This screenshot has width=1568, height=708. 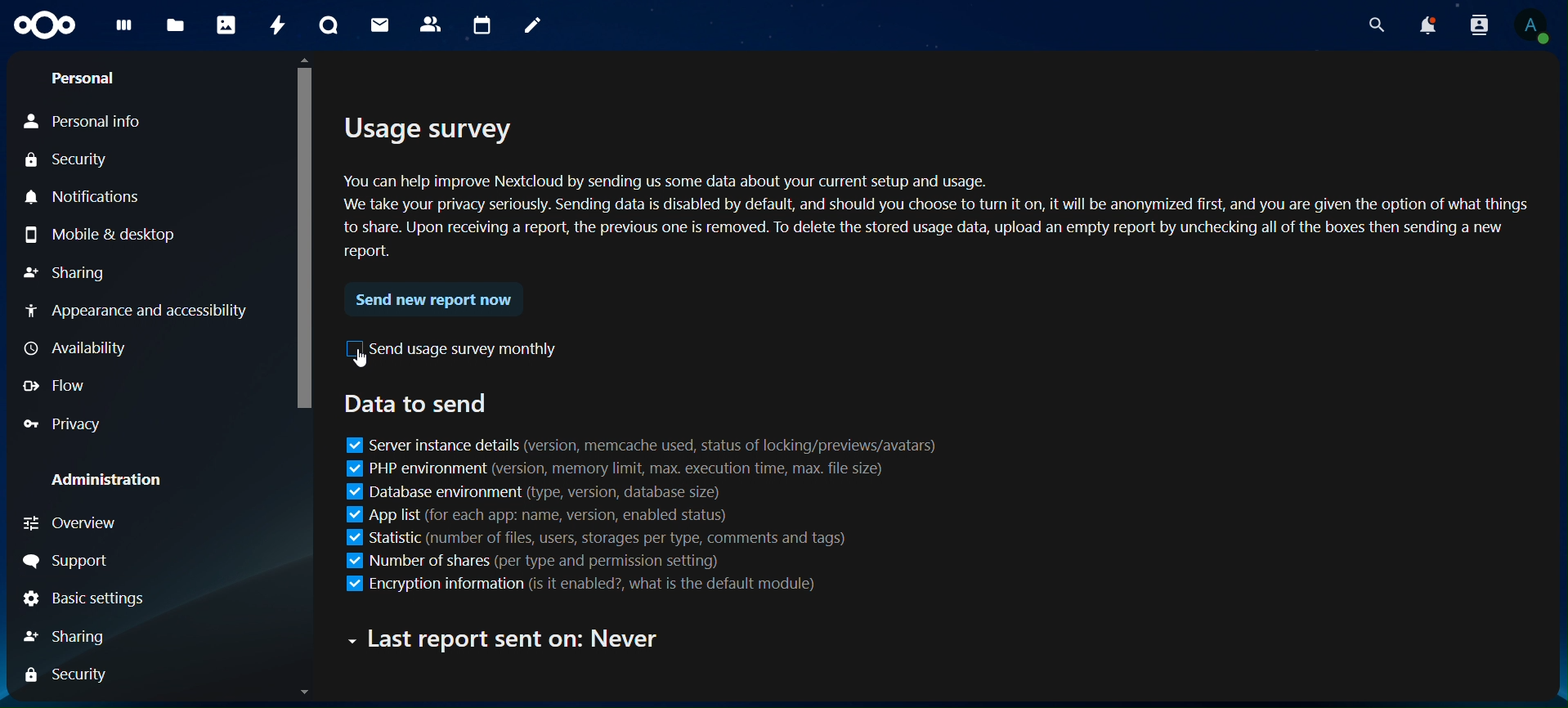 I want to click on app list, so click(x=540, y=515).